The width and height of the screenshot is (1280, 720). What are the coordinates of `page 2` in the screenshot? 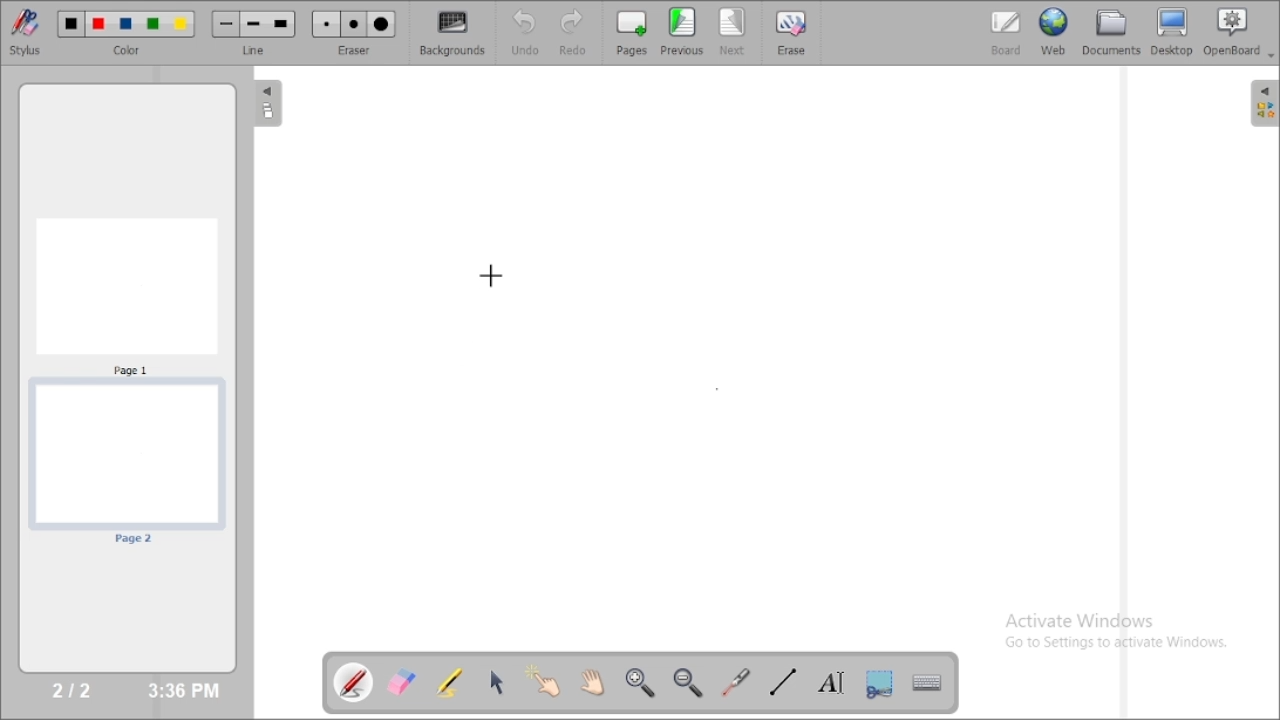 It's located at (126, 464).